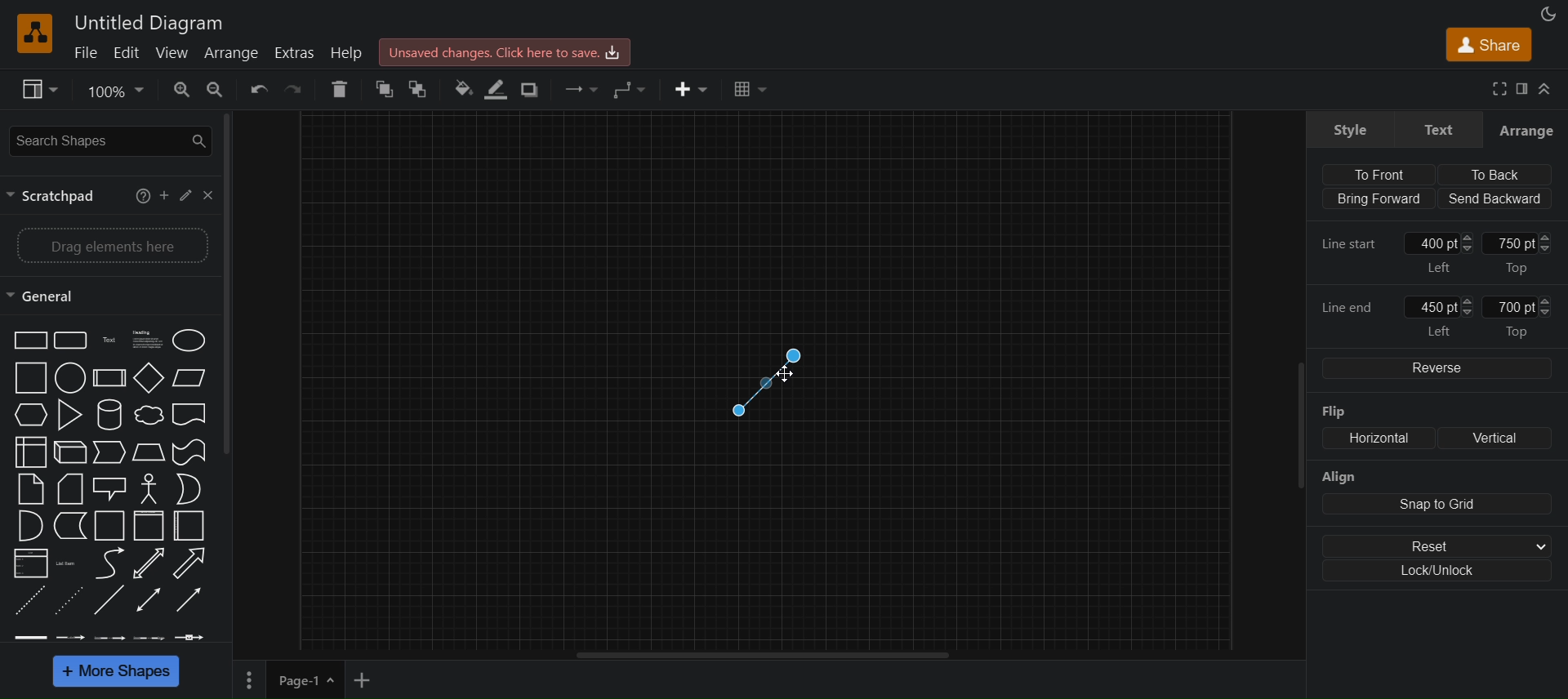  Describe the element at coordinates (1441, 545) in the screenshot. I see `reset` at that location.